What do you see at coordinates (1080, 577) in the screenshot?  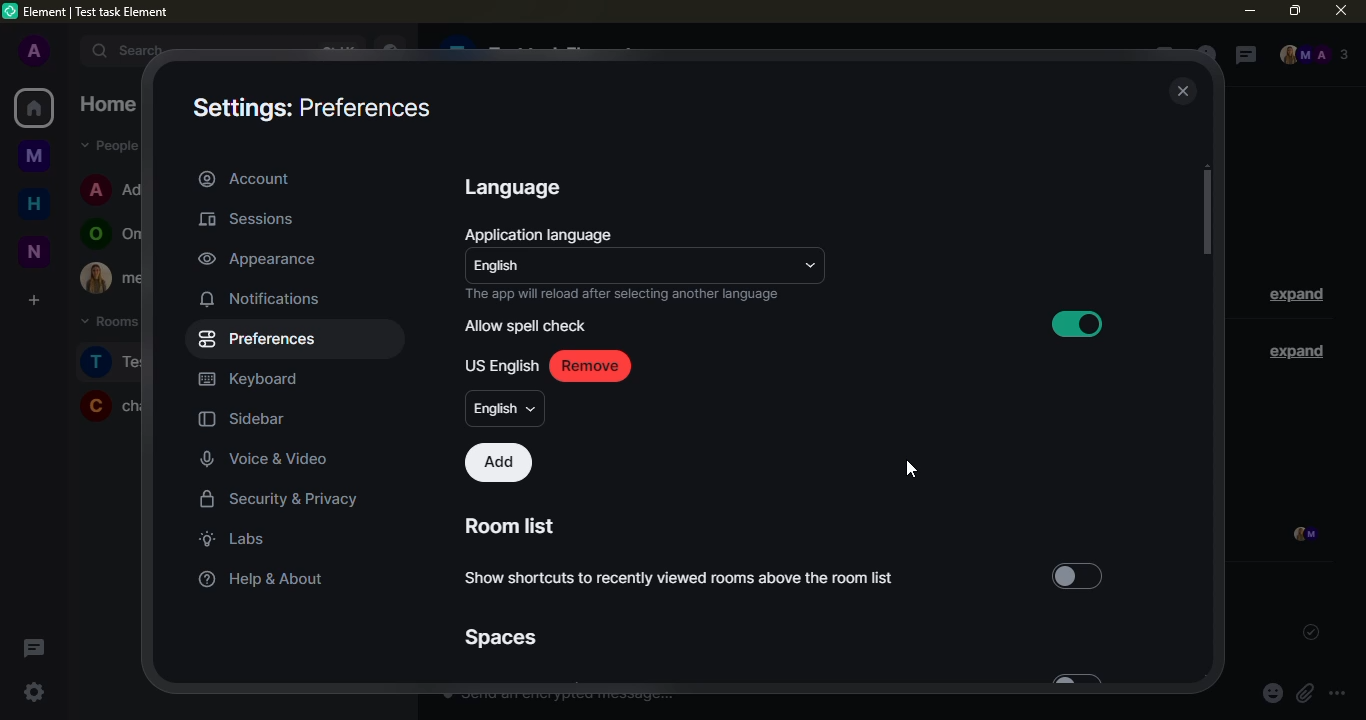 I see `select` at bounding box center [1080, 577].